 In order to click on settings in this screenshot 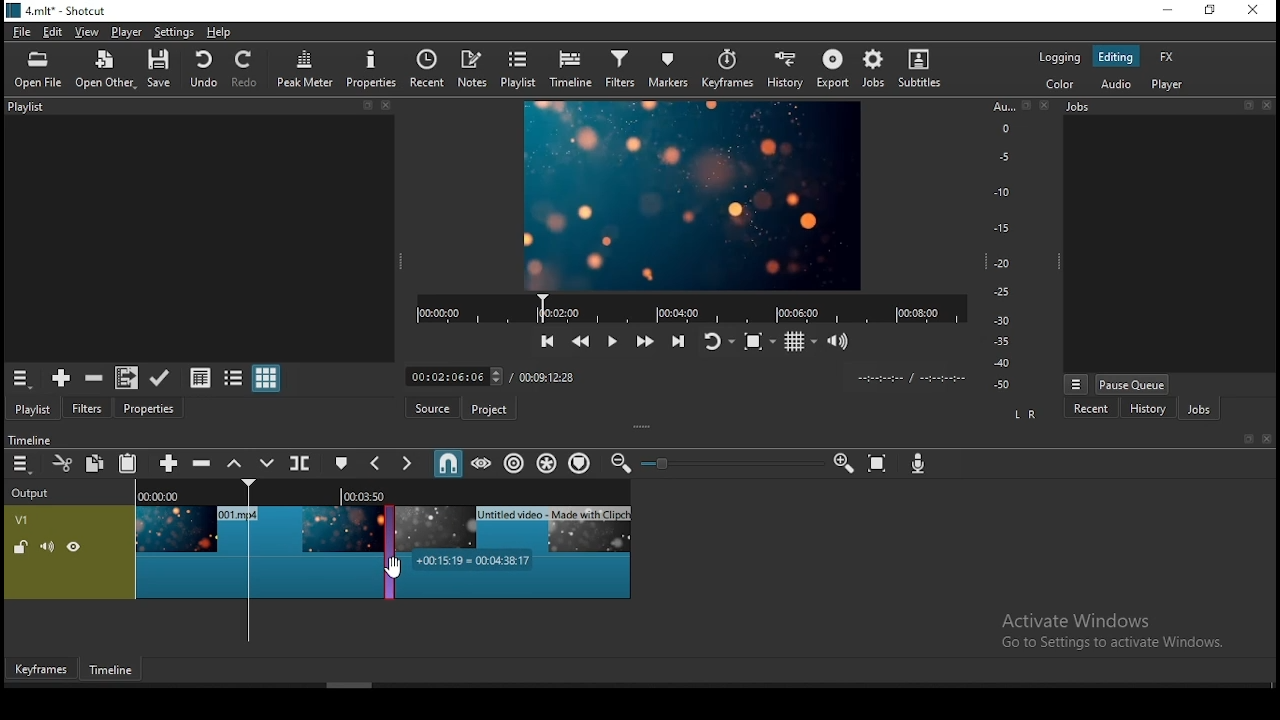, I will do `click(174, 32)`.